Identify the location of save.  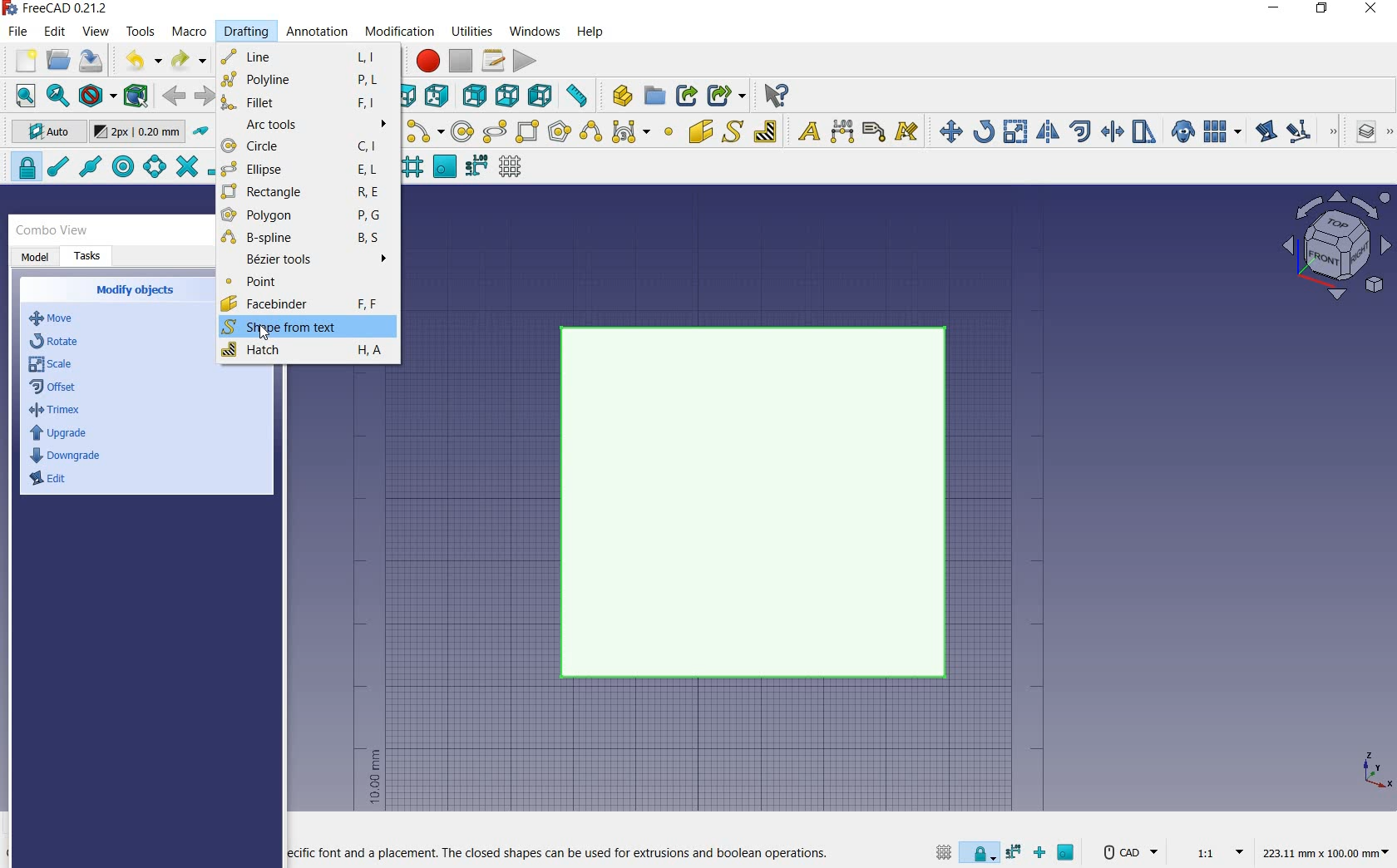
(91, 61).